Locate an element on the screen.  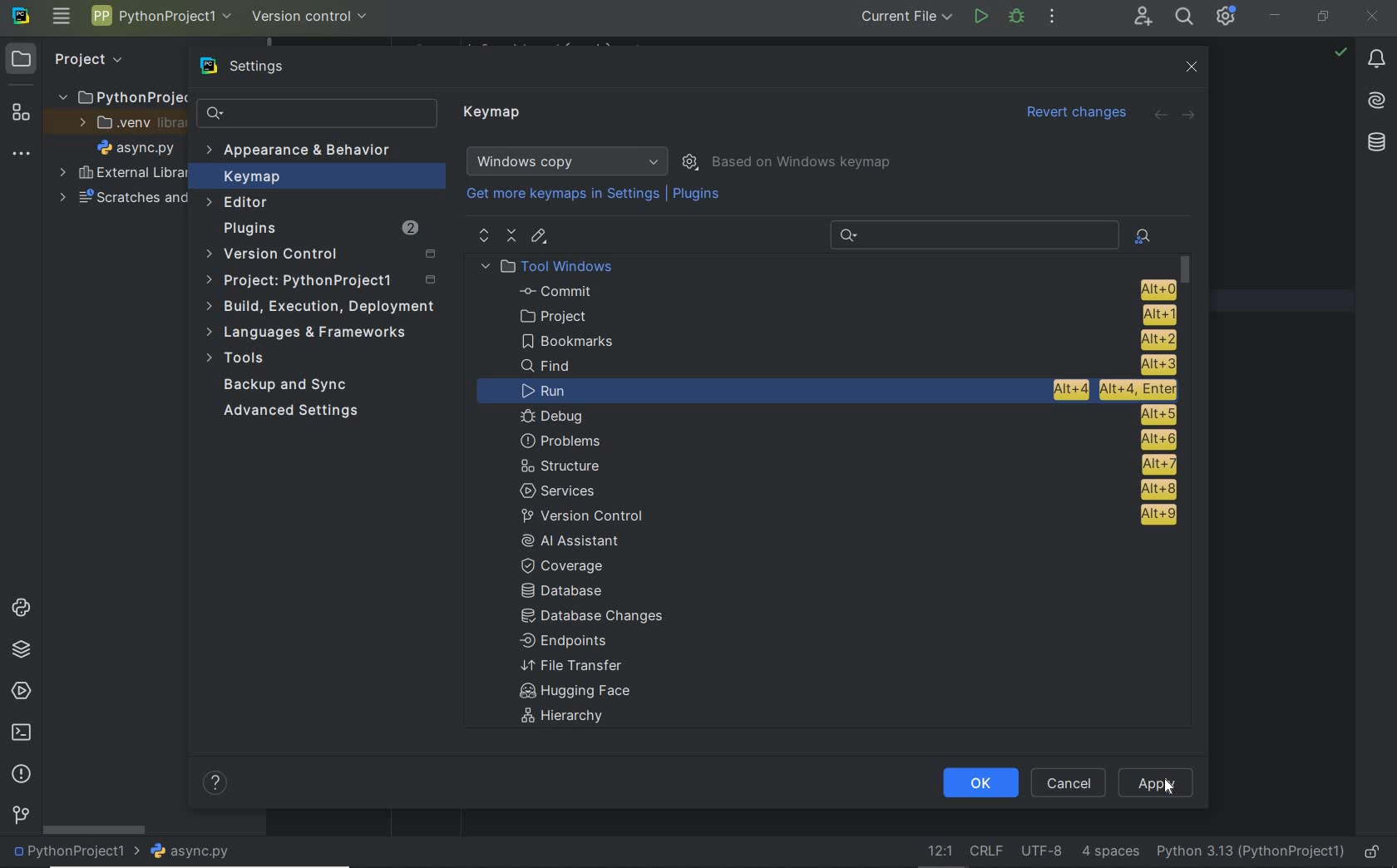
Recent Search is located at coordinates (971, 233).